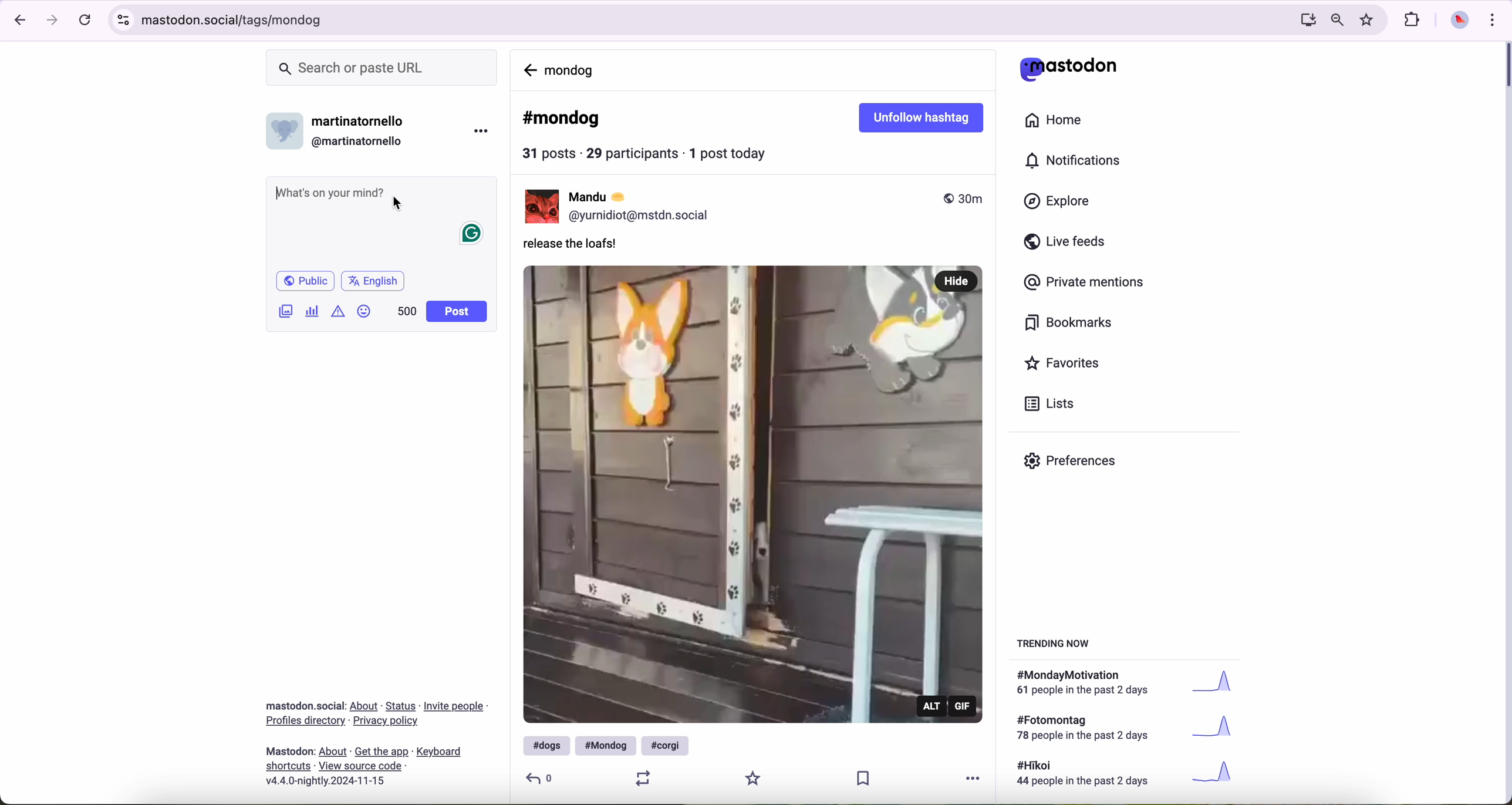 Image resolution: width=1512 pixels, height=805 pixels. What do you see at coordinates (1086, 729) in the screenshot?
I see `text` at bounding box center [1086, 729].